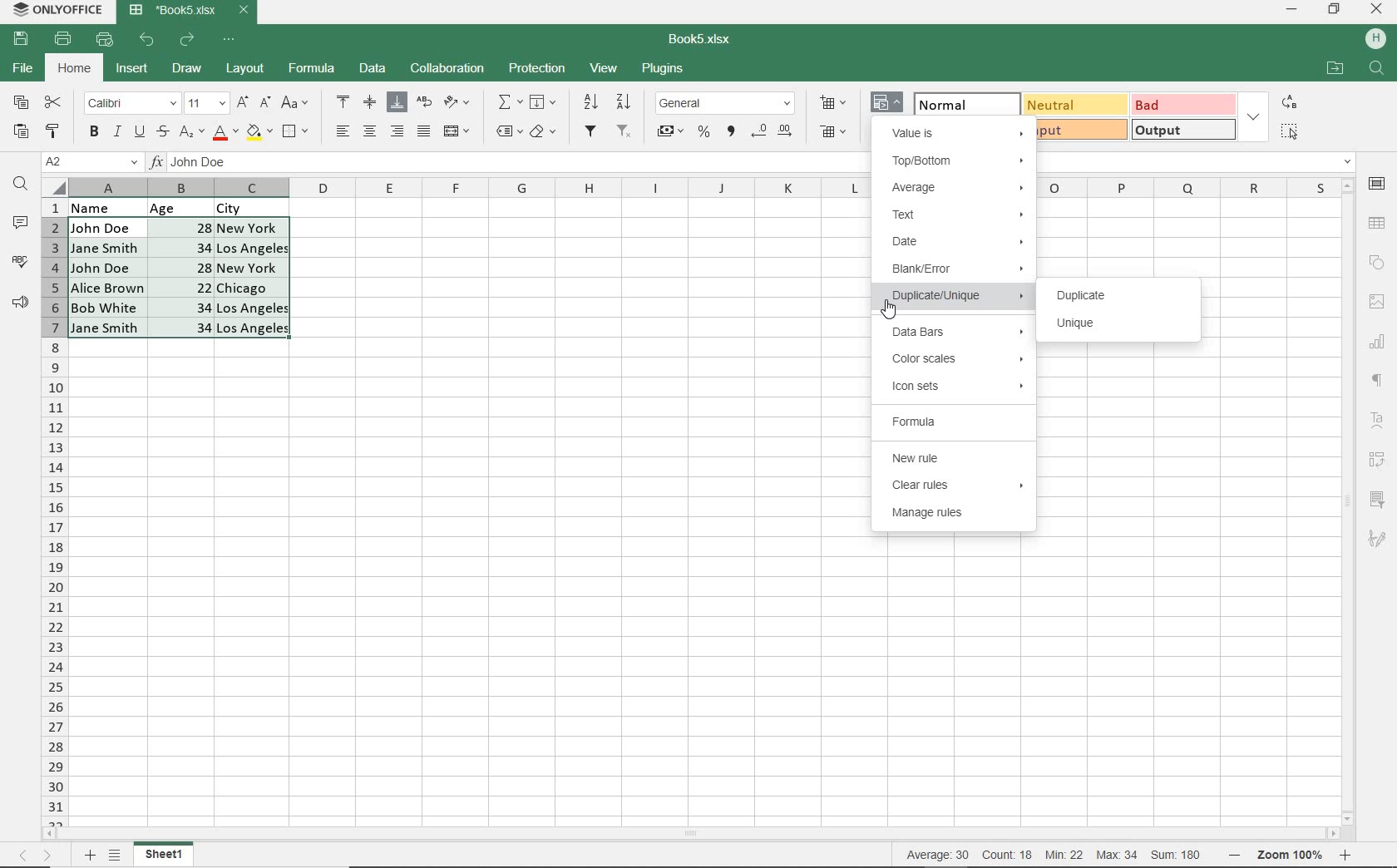 This screenshot has width=1397, height=868. Describe the element at coordinates (957, 387) in the screenshot. I see `ICON SETS` at that location.